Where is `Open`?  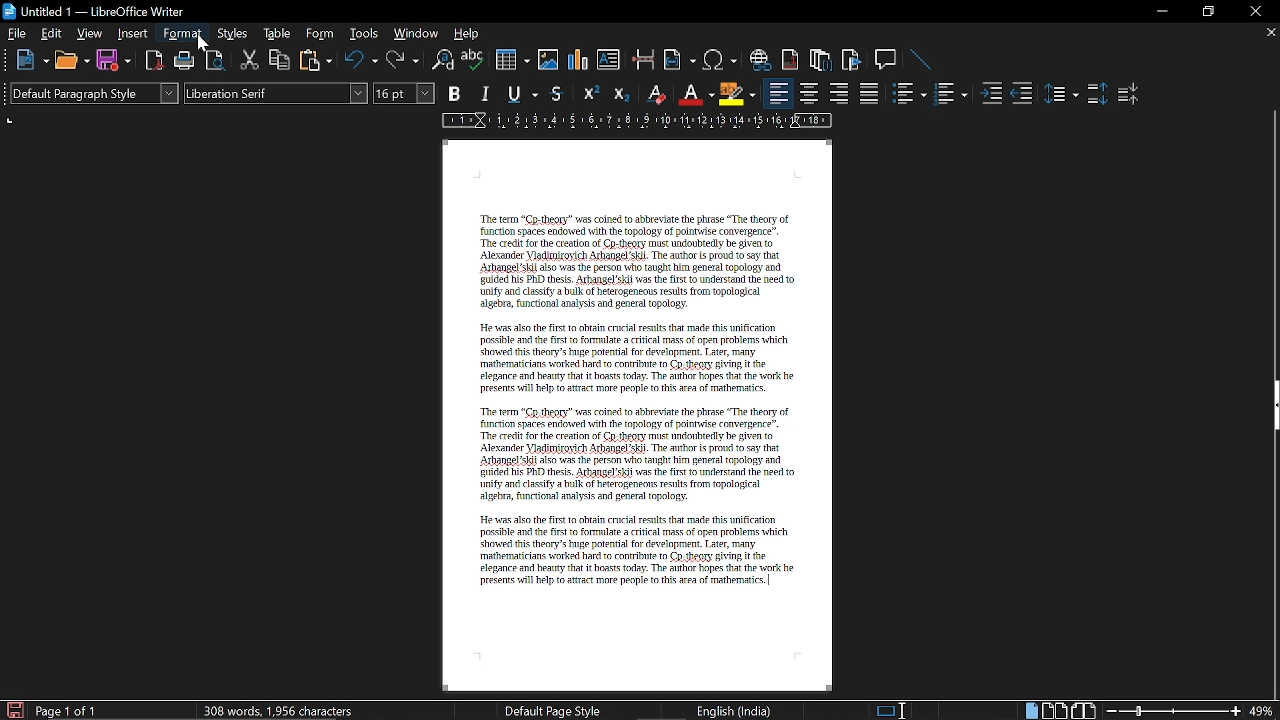
Open is located at coordinates (72, 62).